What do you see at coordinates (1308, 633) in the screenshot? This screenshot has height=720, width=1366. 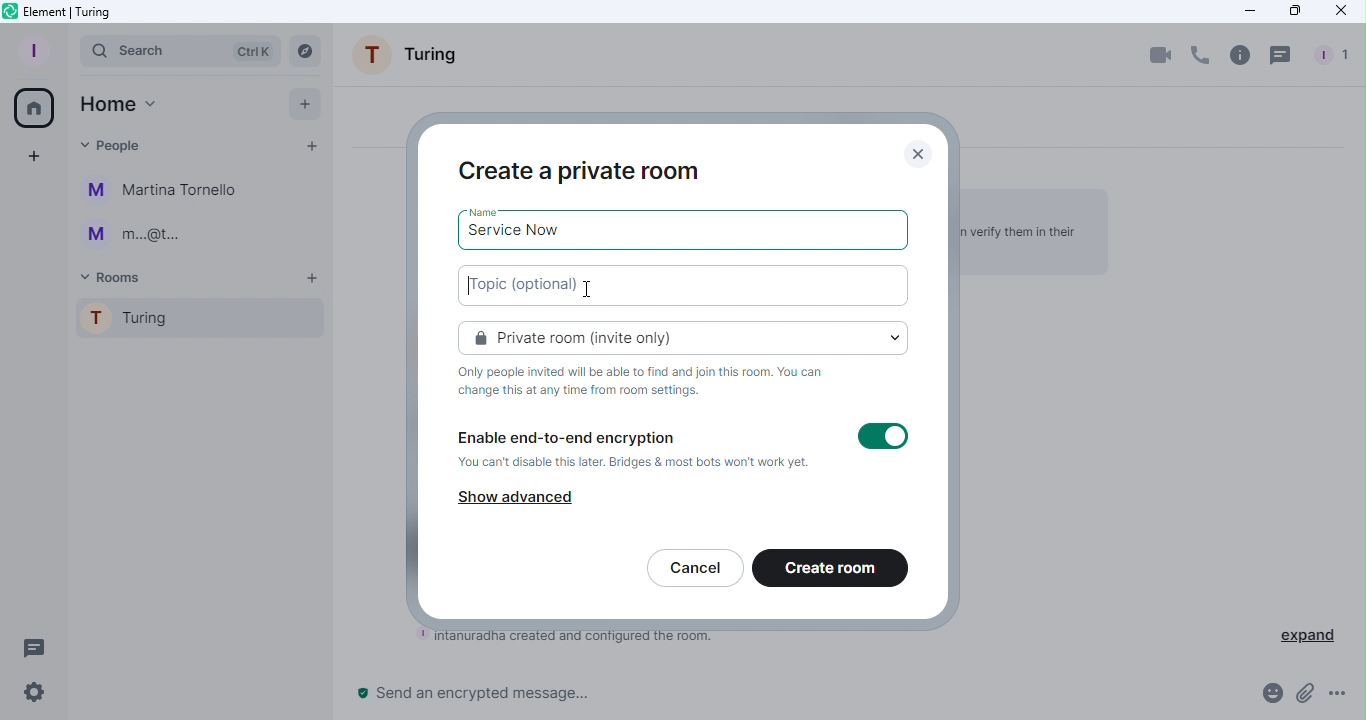 I see `expand` at bounding box center [1308, 633].